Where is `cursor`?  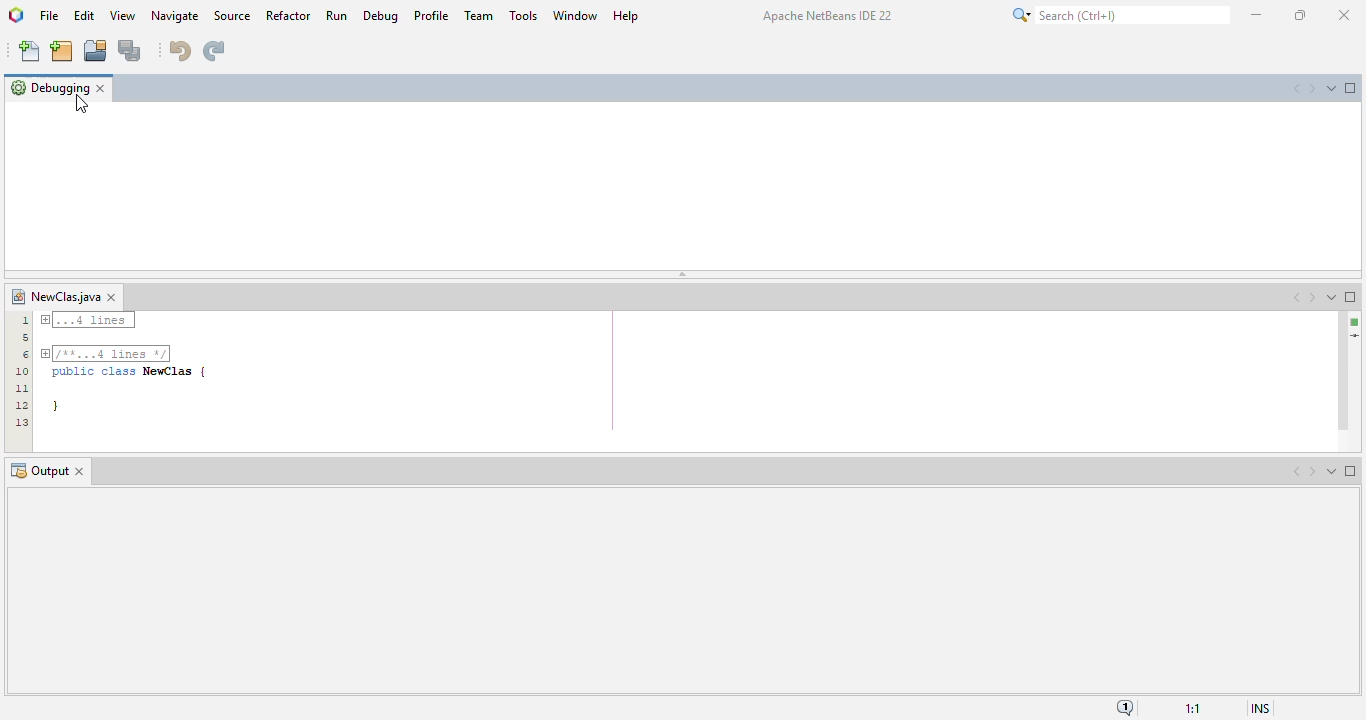
cursor is located at coordinates (81, 105).